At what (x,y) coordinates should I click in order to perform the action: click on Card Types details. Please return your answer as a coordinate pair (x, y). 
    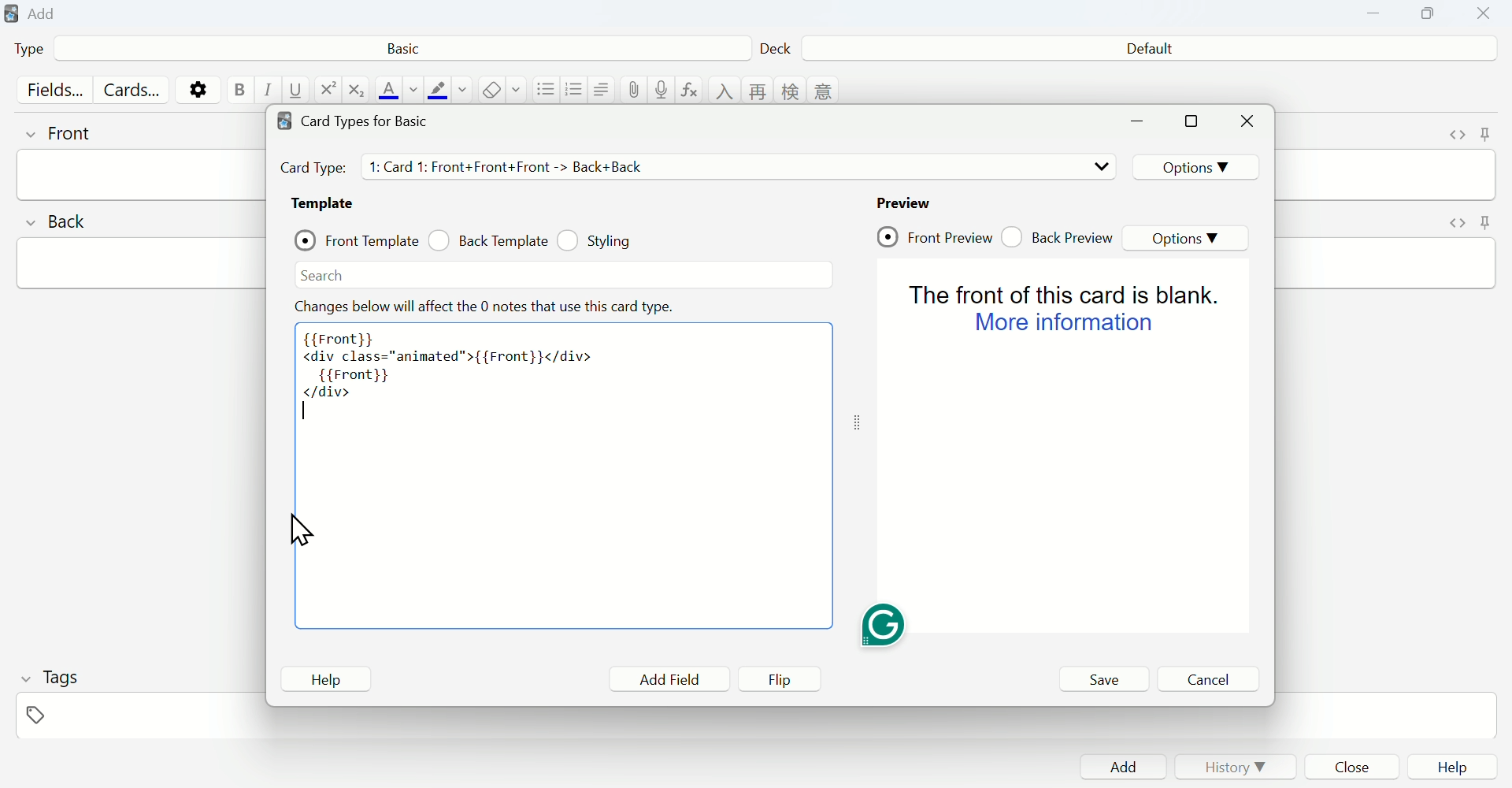
    Looking at the image, I should click on (478, 166).